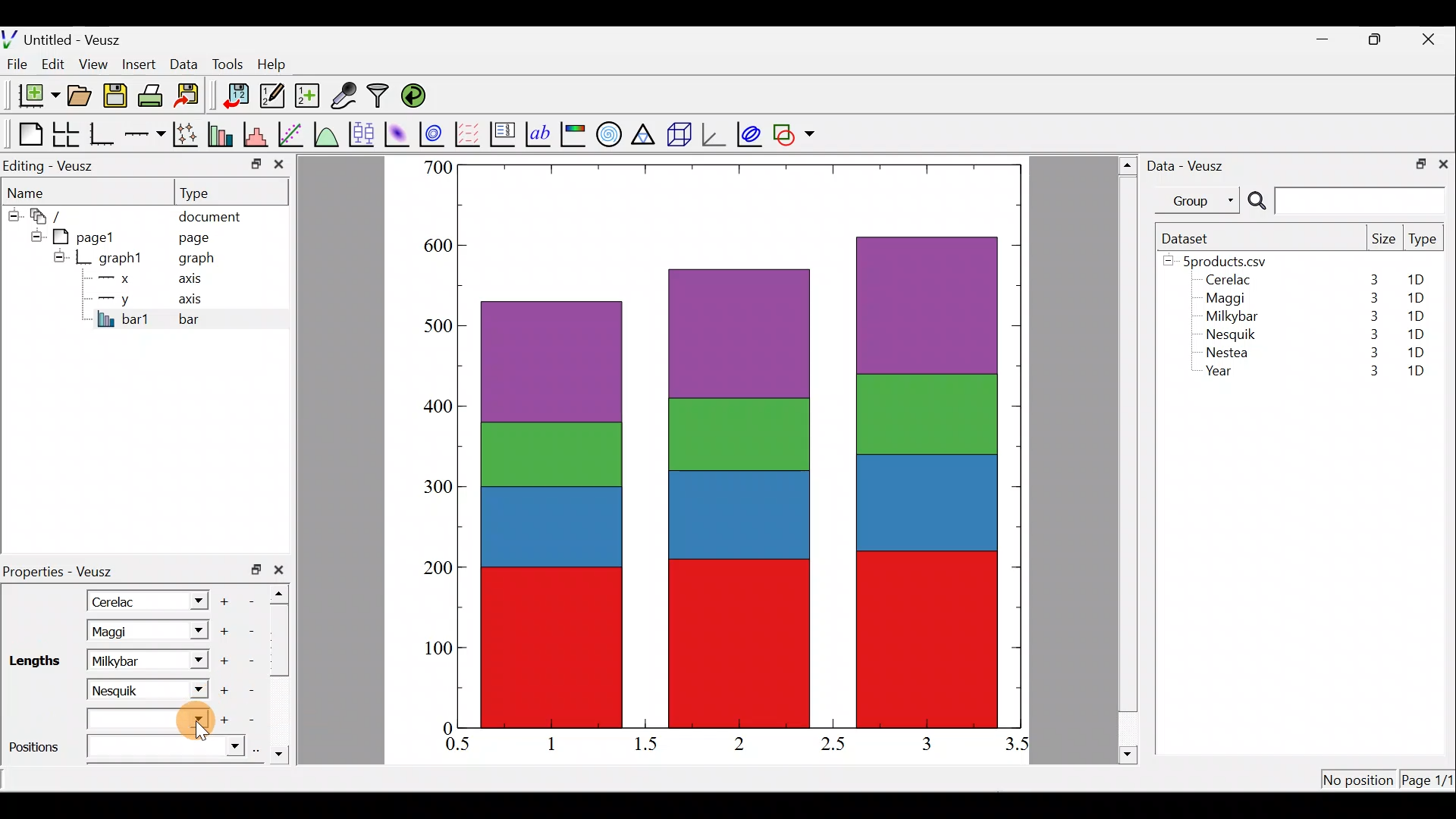 The width and height of the screenshot is (1456, 819). Describe the element at coordinates (117, 99) in the screenshot. I see `Save the document` at that location.